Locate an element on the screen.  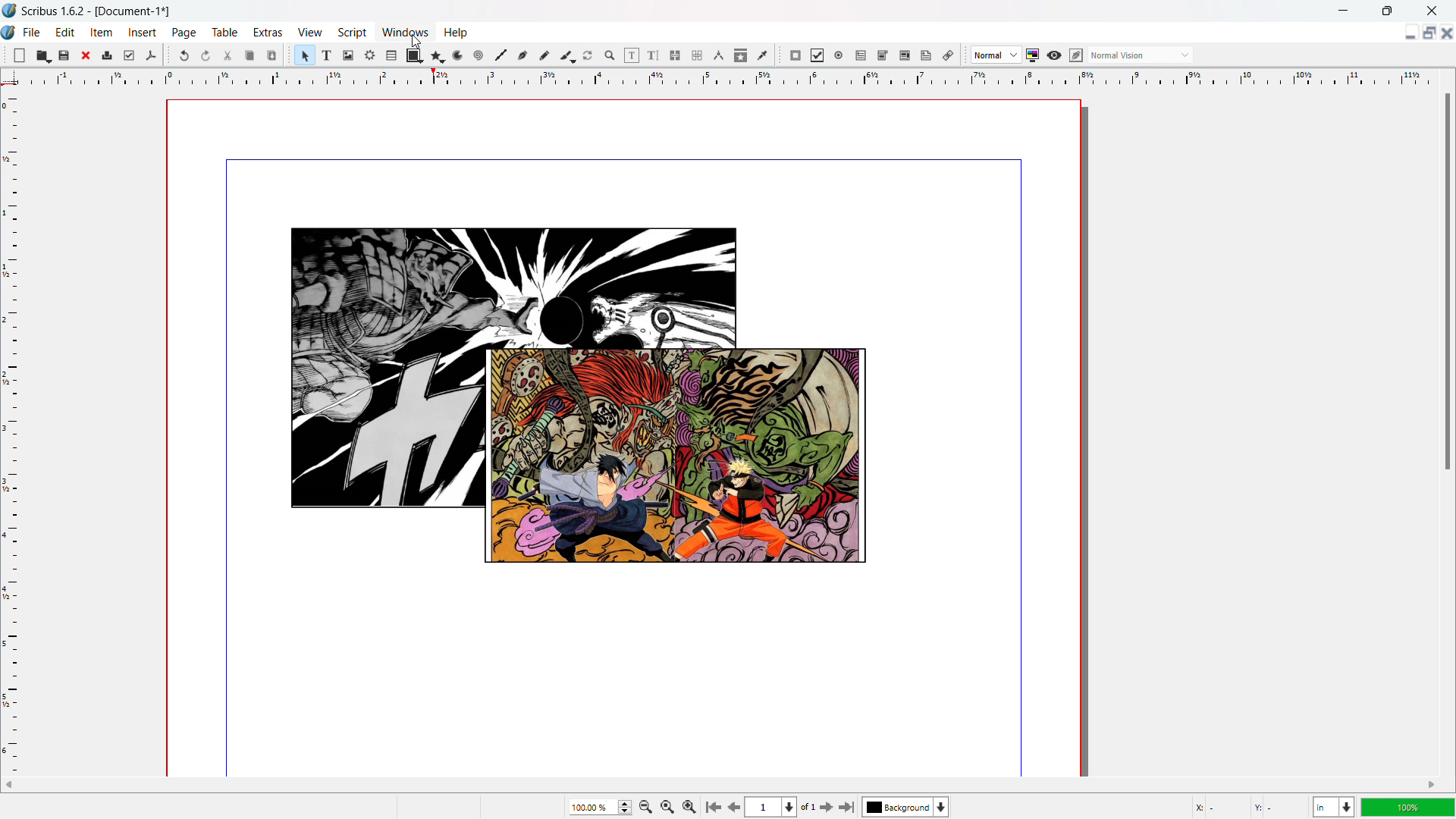
current zoom level is located at coordinates (599, 807).